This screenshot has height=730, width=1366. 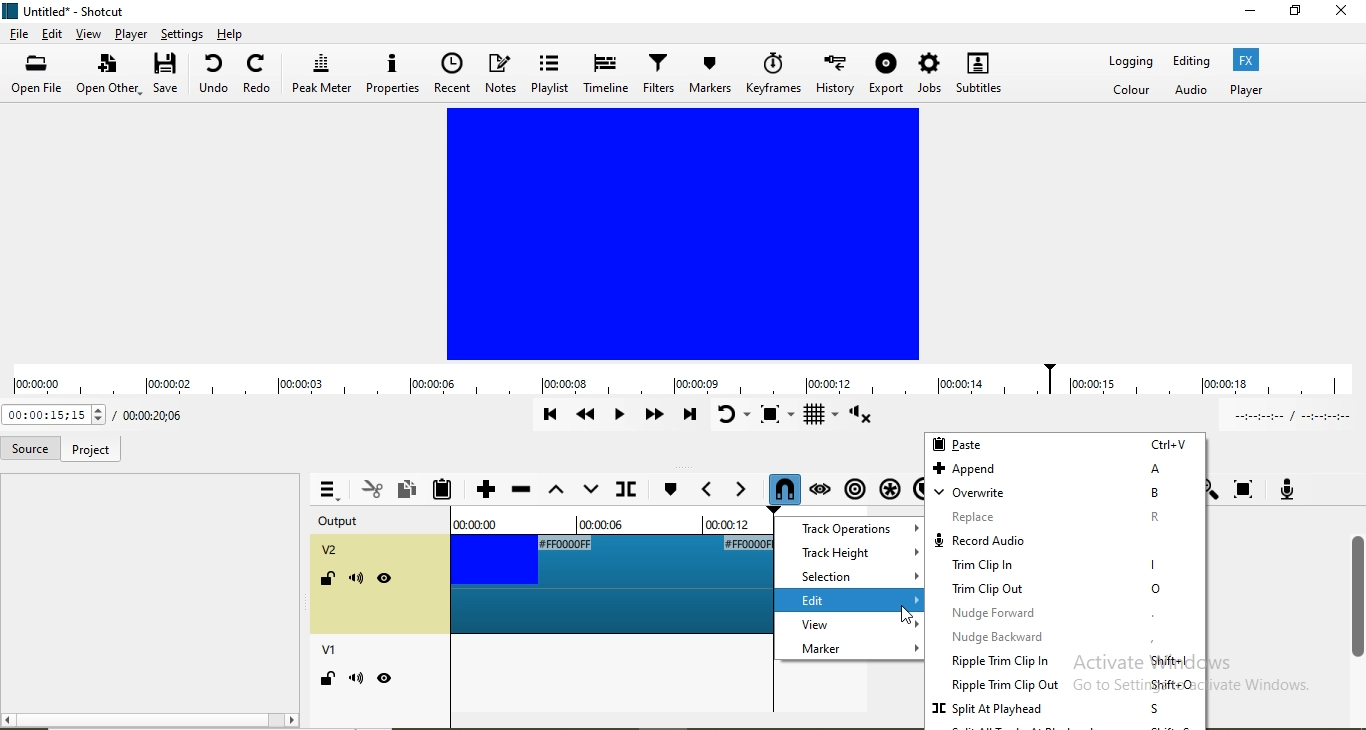 I want to click on Paste , so click(x=447, y=490).